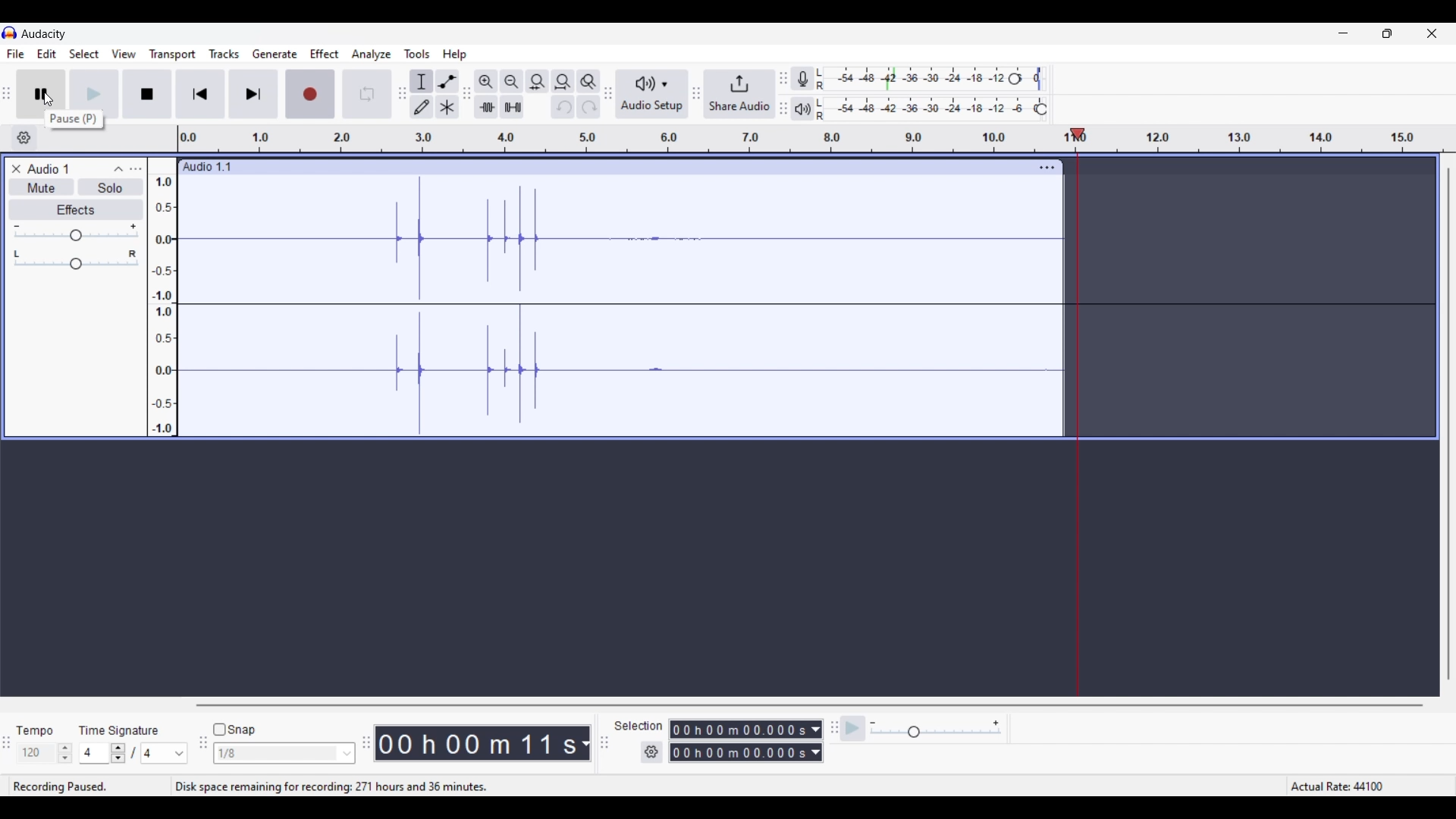 This screenshot has height=819, width=1456. I want to click on Increase/Decrease time signature, so click(118, 754).